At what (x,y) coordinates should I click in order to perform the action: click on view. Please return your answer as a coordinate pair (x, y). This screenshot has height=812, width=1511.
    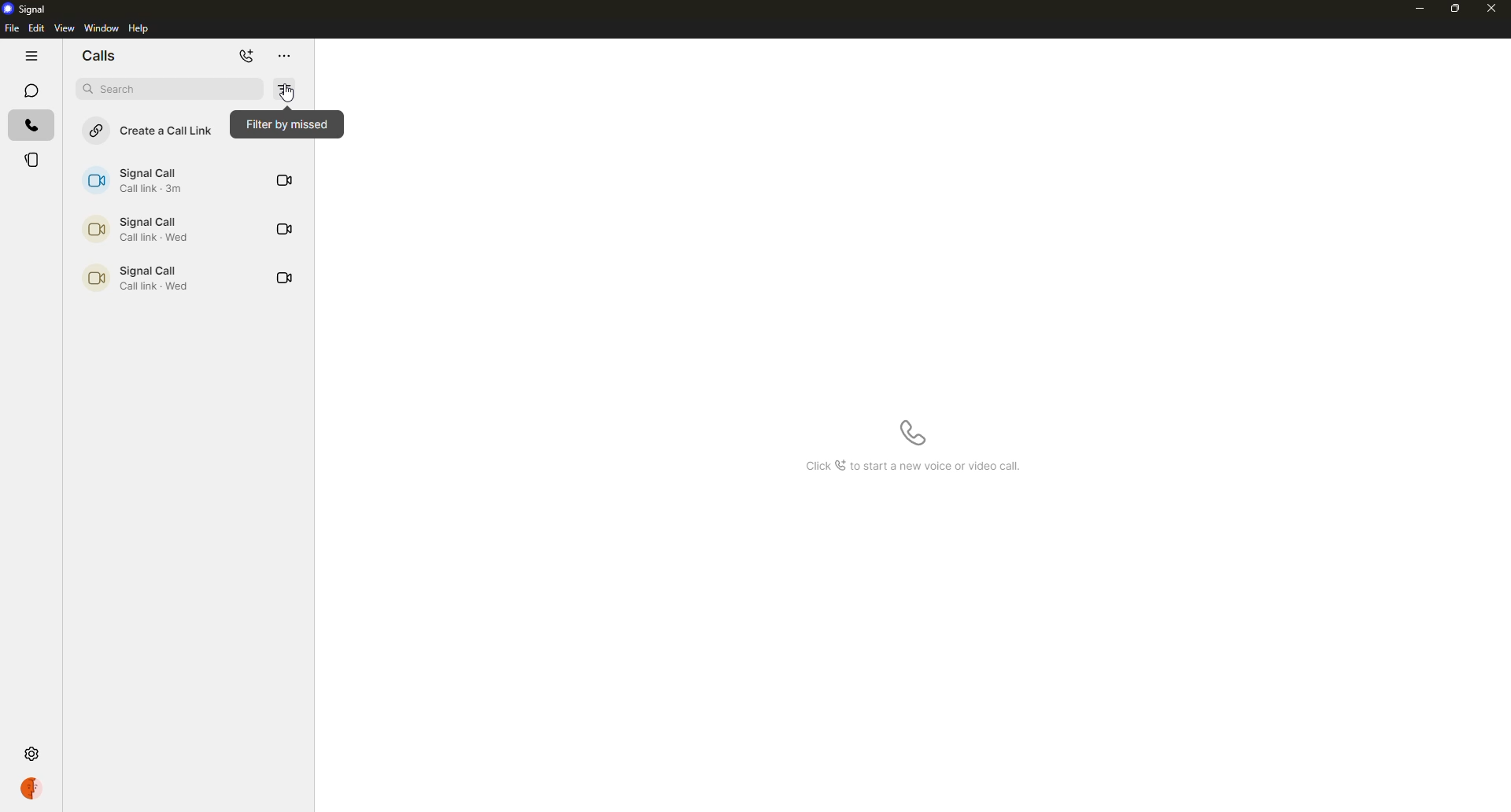
    Looking at the image, I should click on (64, 28).